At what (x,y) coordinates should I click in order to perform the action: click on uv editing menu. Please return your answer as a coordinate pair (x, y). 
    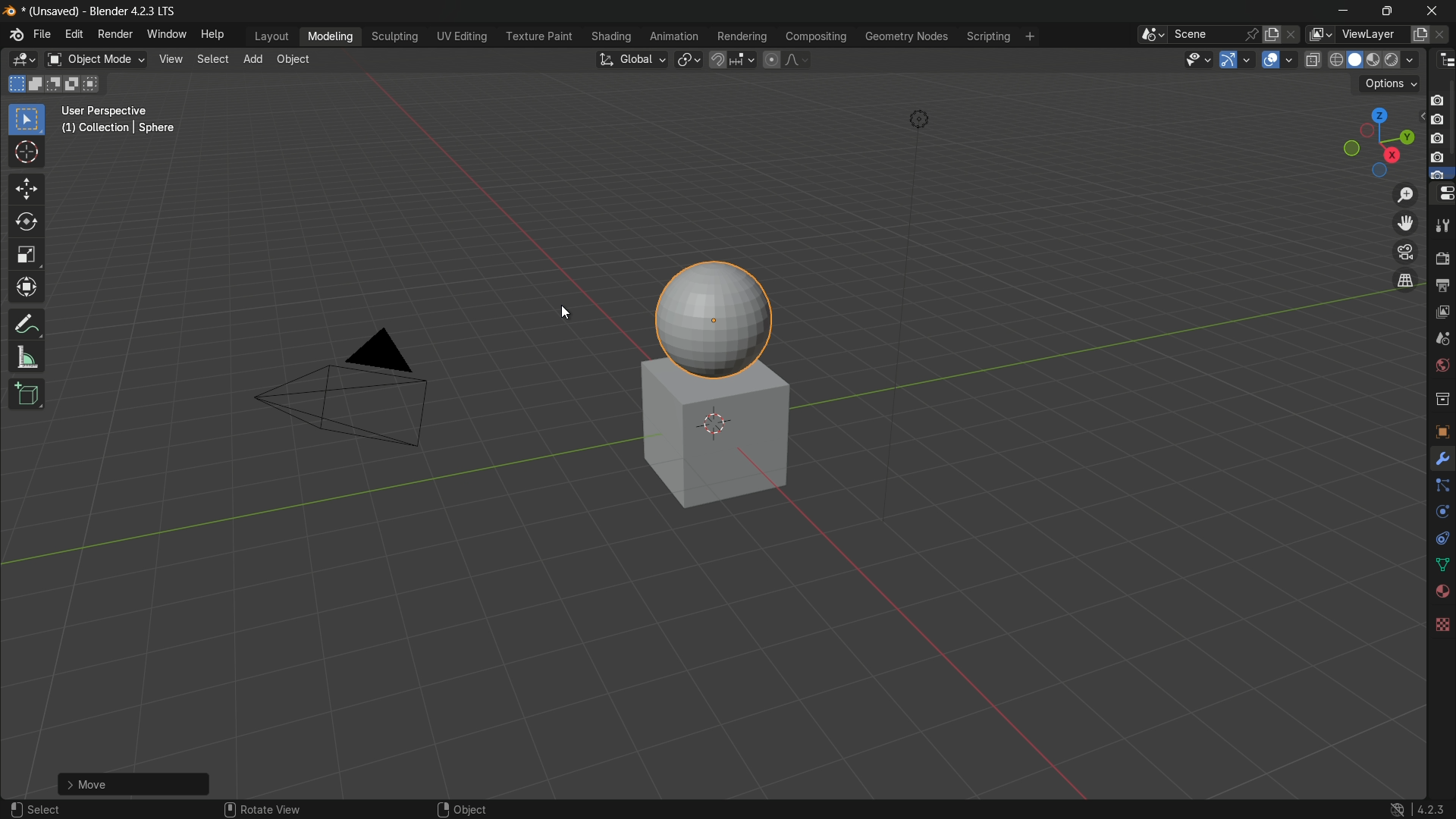
    Looking at the image, I should click on (462, 36).